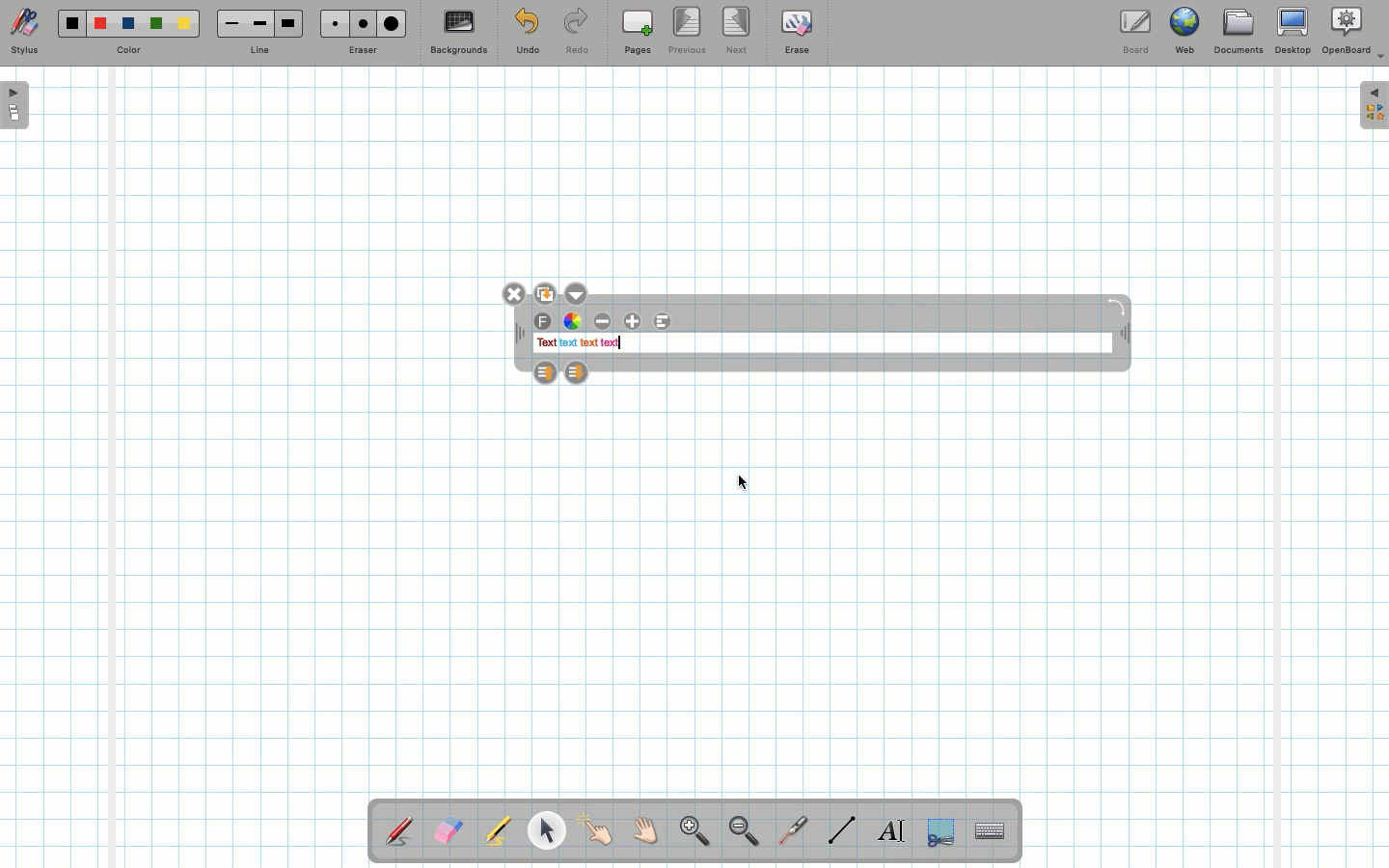  Describe the element at coordinates (690, 833) in the screenshot. I see `Zoom in` at that location.